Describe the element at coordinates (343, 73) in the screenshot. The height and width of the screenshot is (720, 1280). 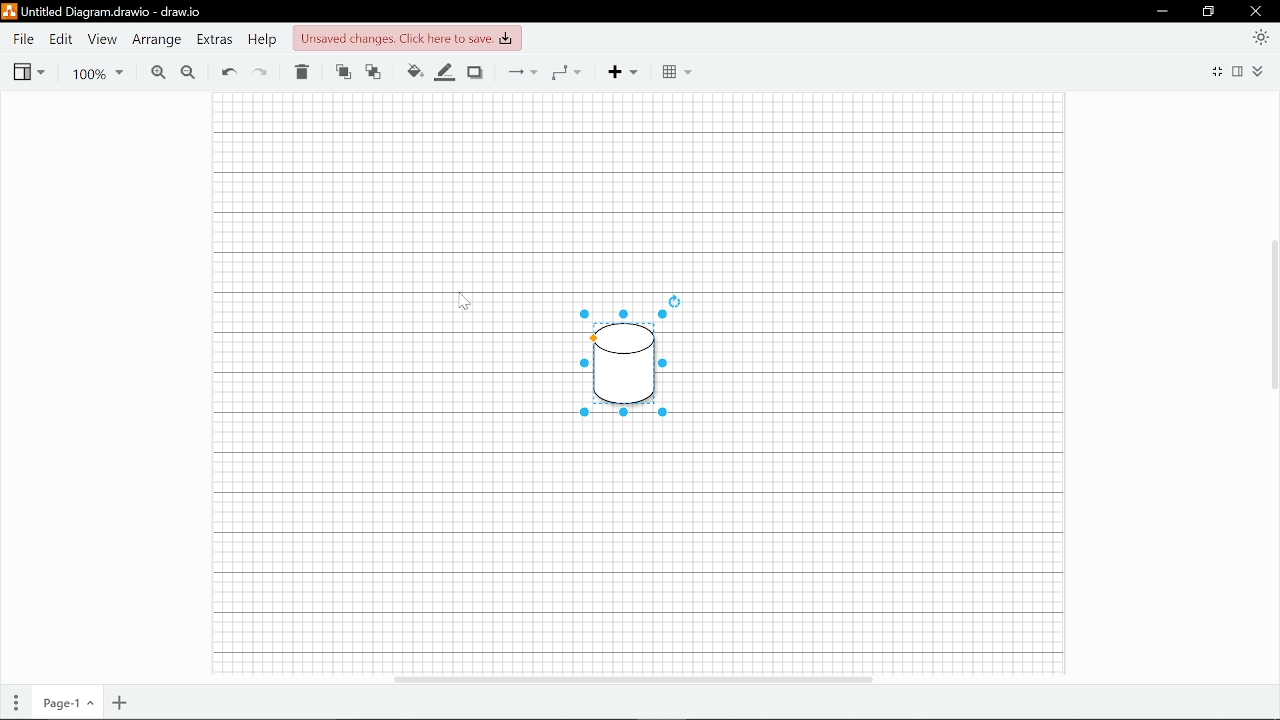
I see `To front` at that location.